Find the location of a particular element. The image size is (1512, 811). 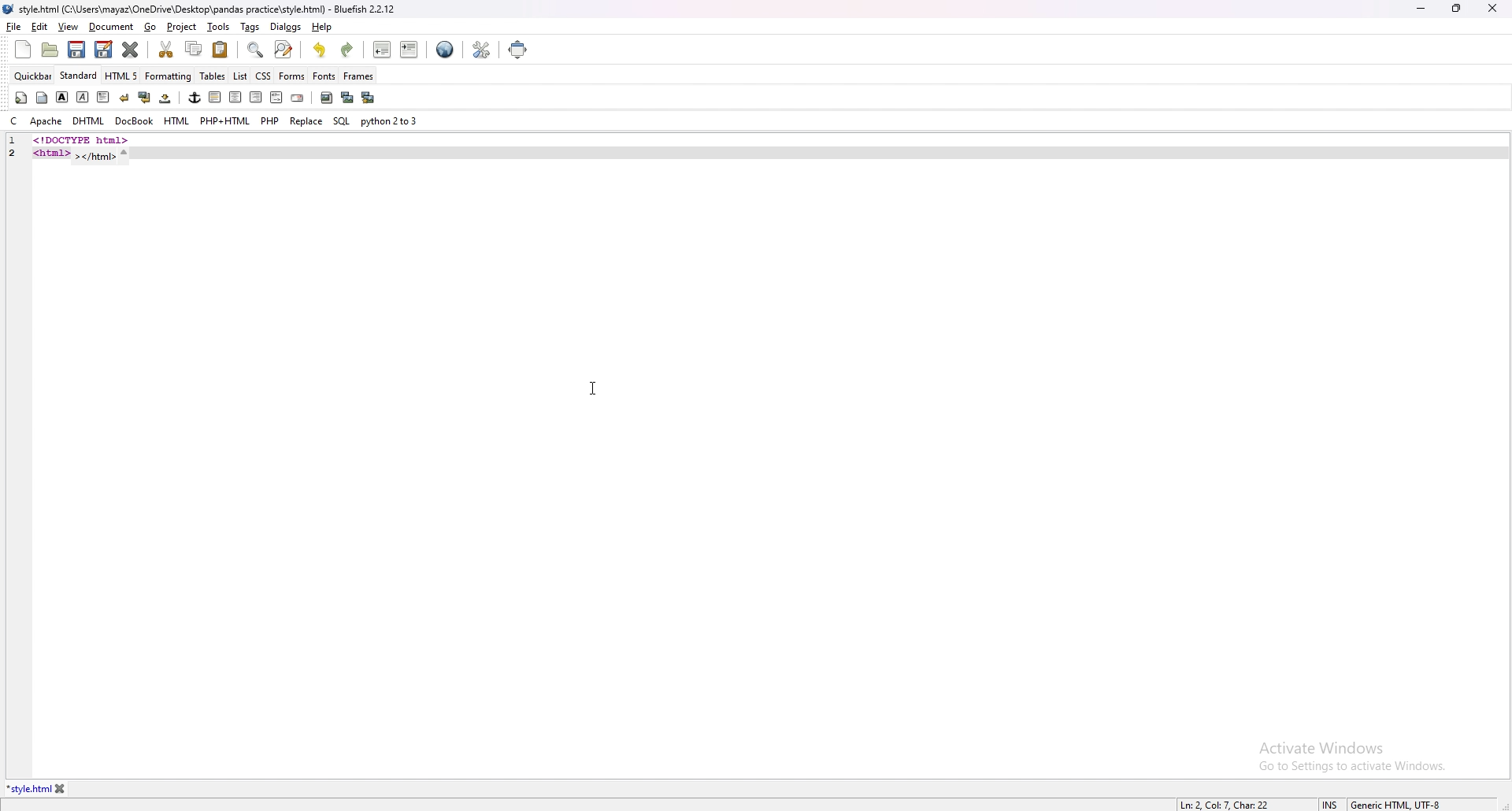

standard is located at coordinates (80, 76).